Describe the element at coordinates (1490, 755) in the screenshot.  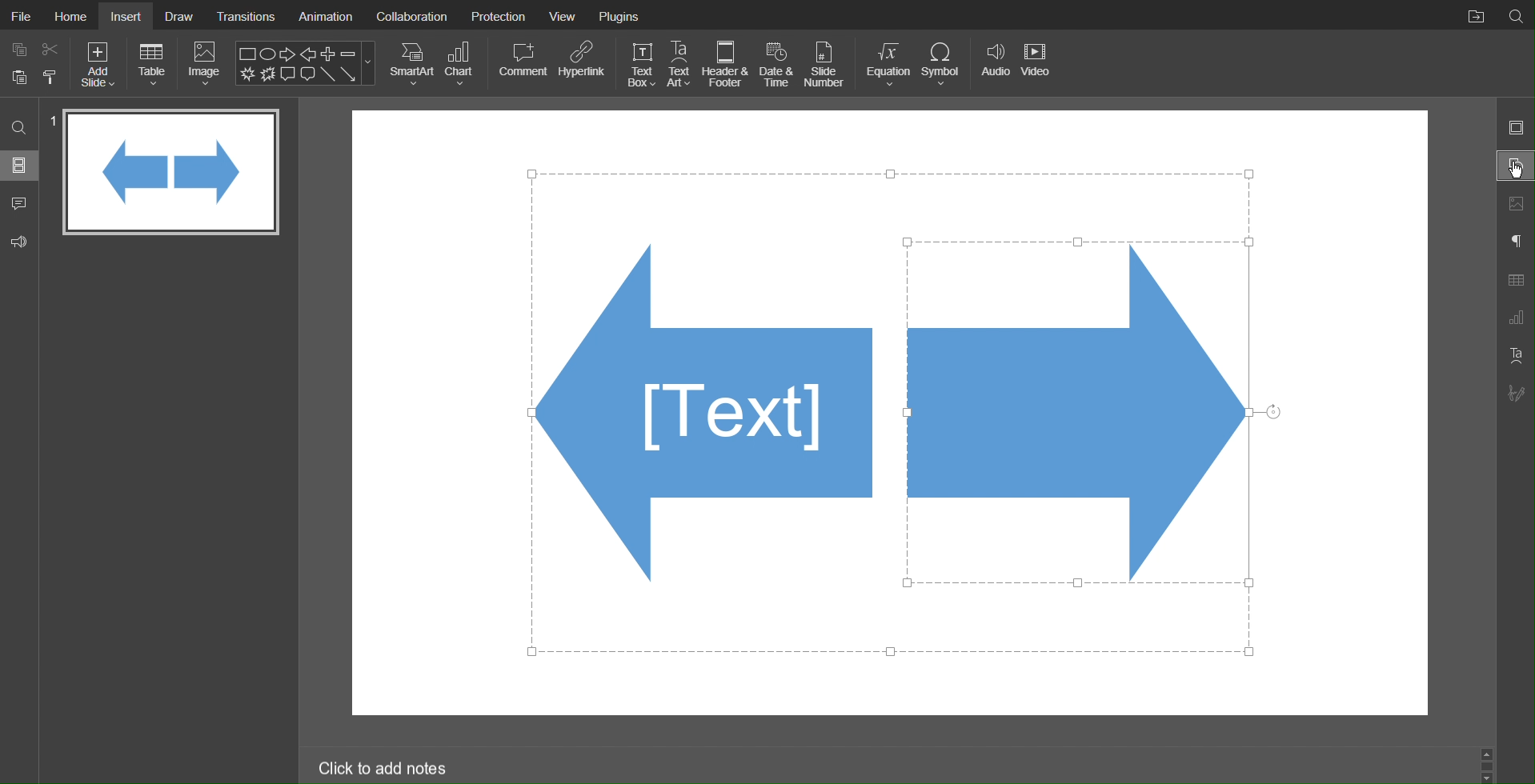
I see `up` at that location.